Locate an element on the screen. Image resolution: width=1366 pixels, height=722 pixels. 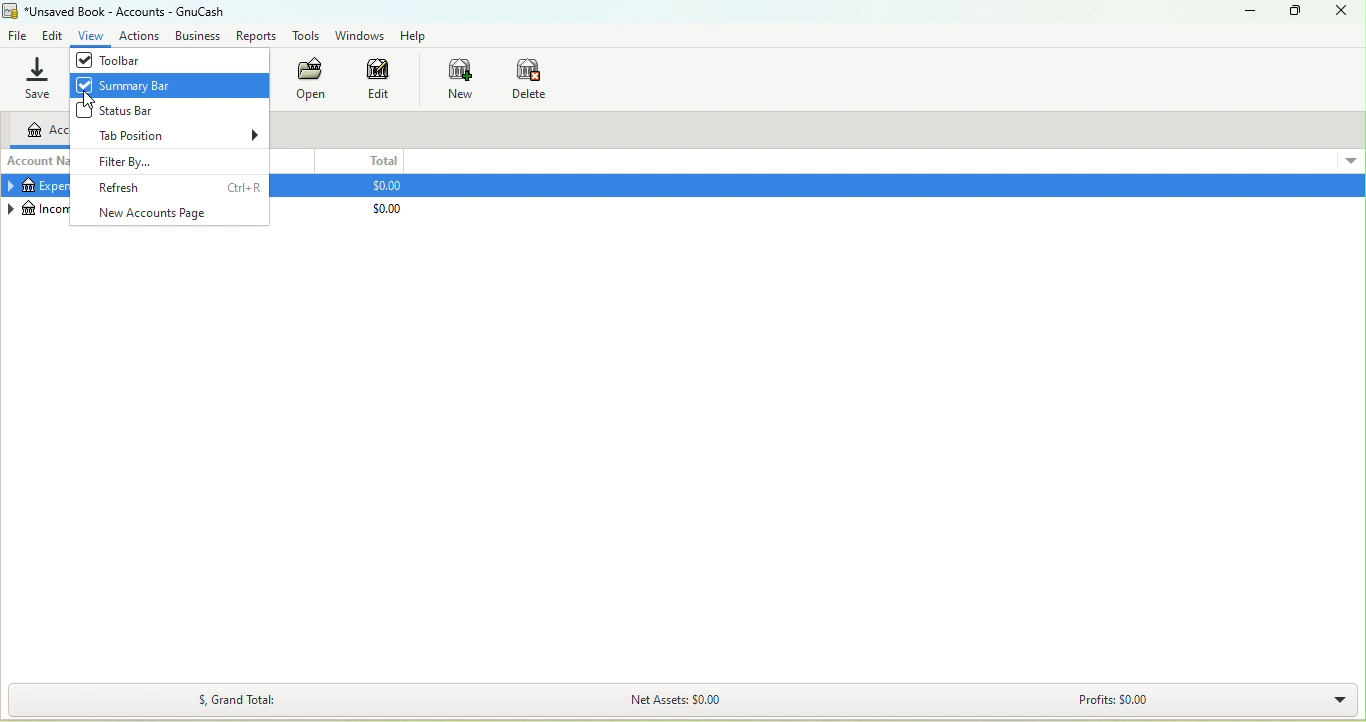
Windows is located at coordinates (360, 34).